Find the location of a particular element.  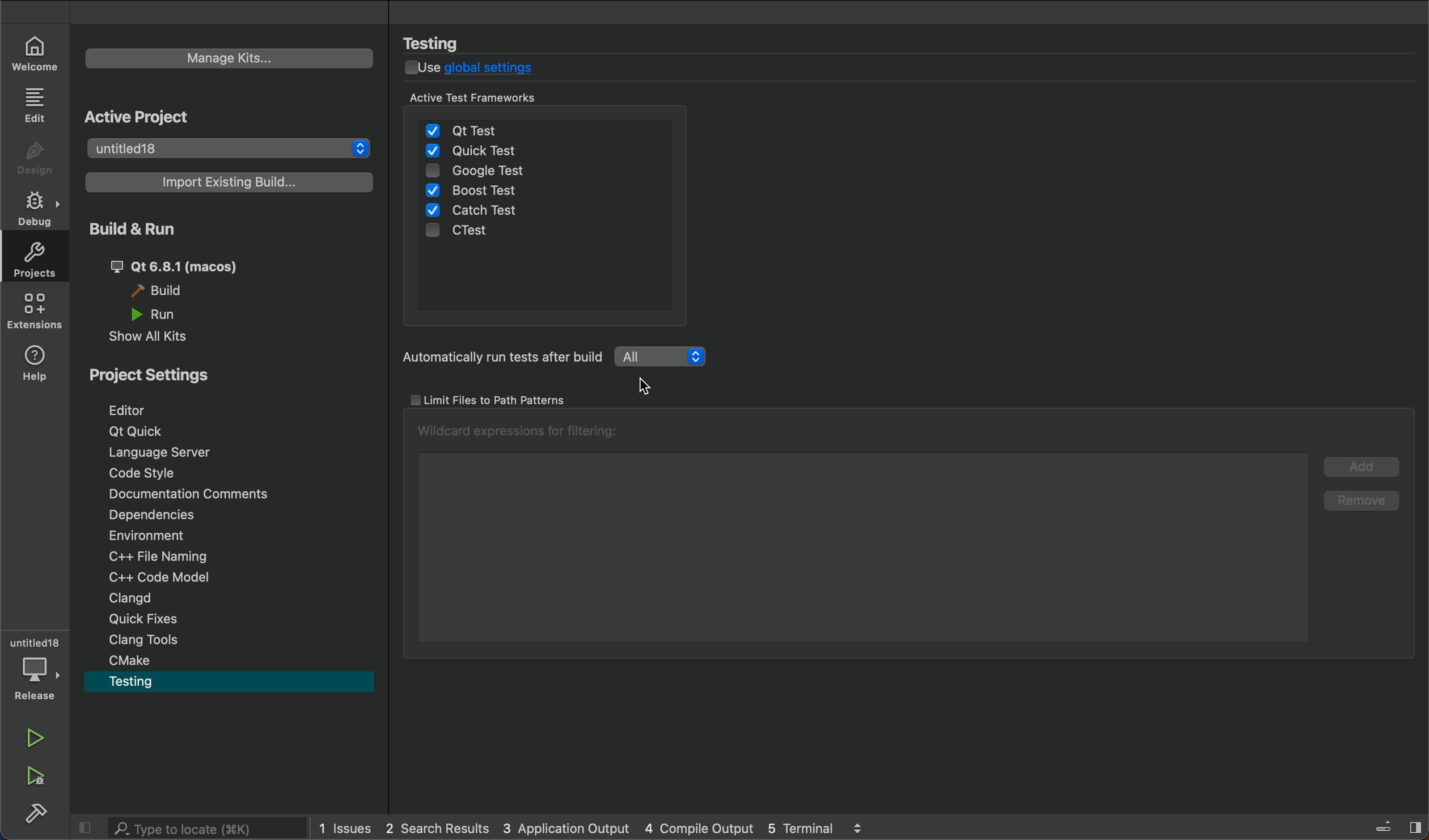

debug is located at coordinates (35, 667).